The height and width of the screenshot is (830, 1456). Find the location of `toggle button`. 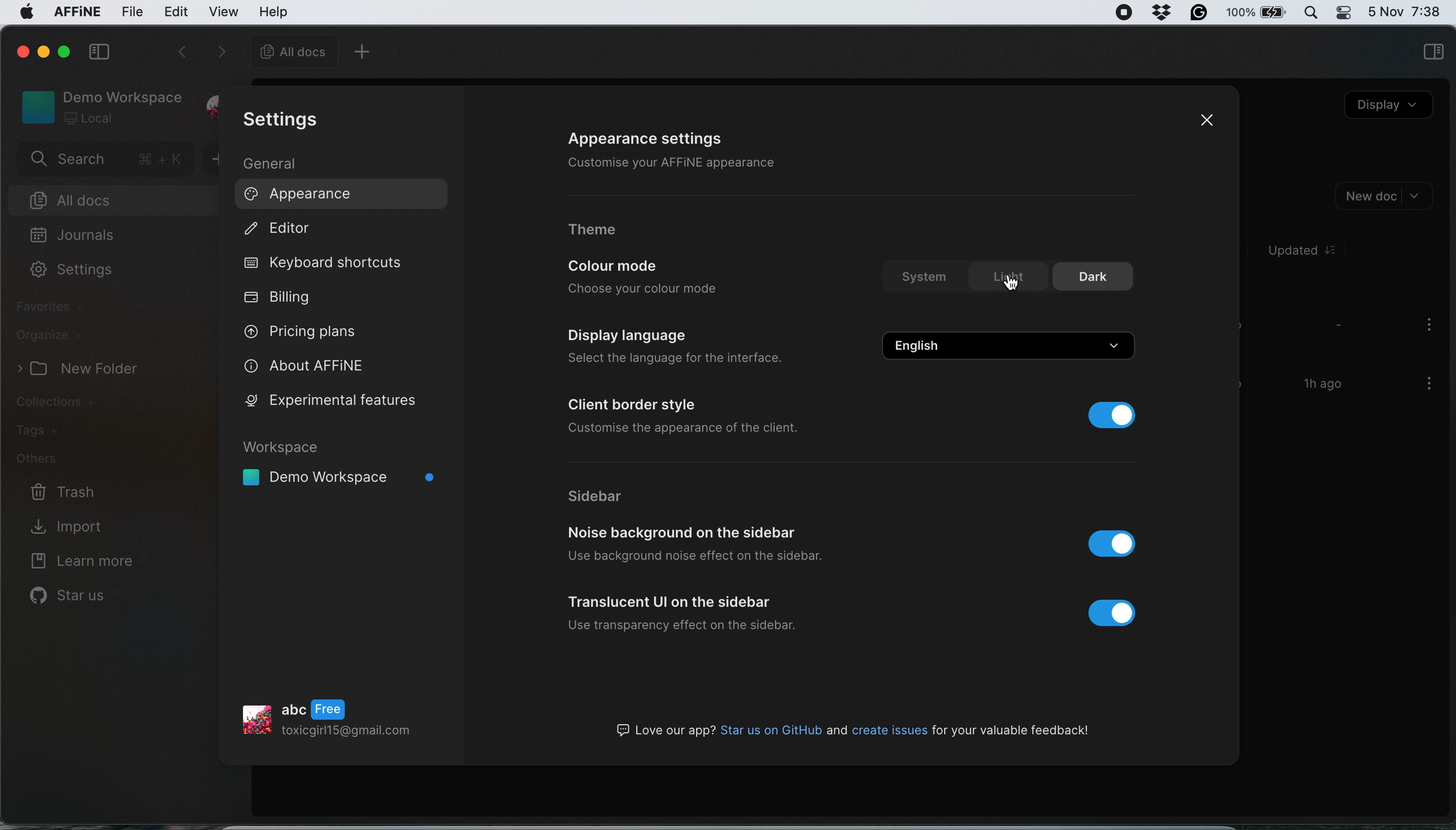

toggle button is located at coordinates (1116, 543).